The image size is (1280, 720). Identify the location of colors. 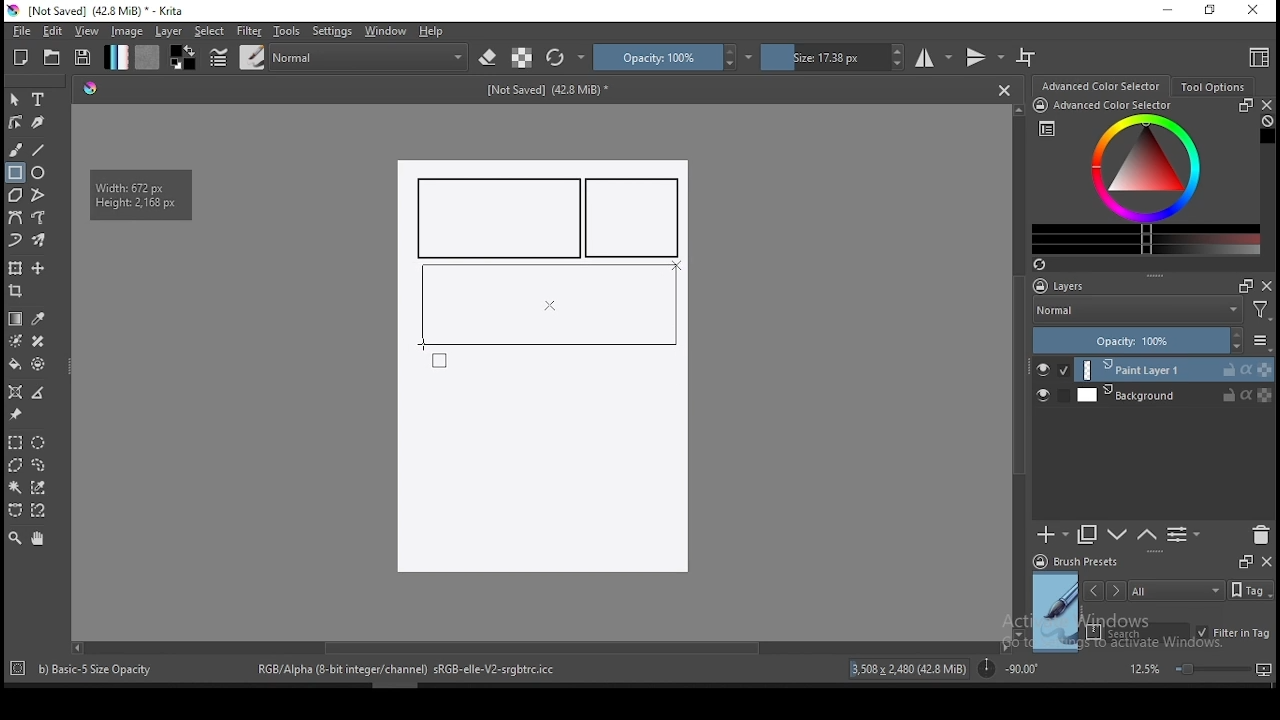
(183, 57).